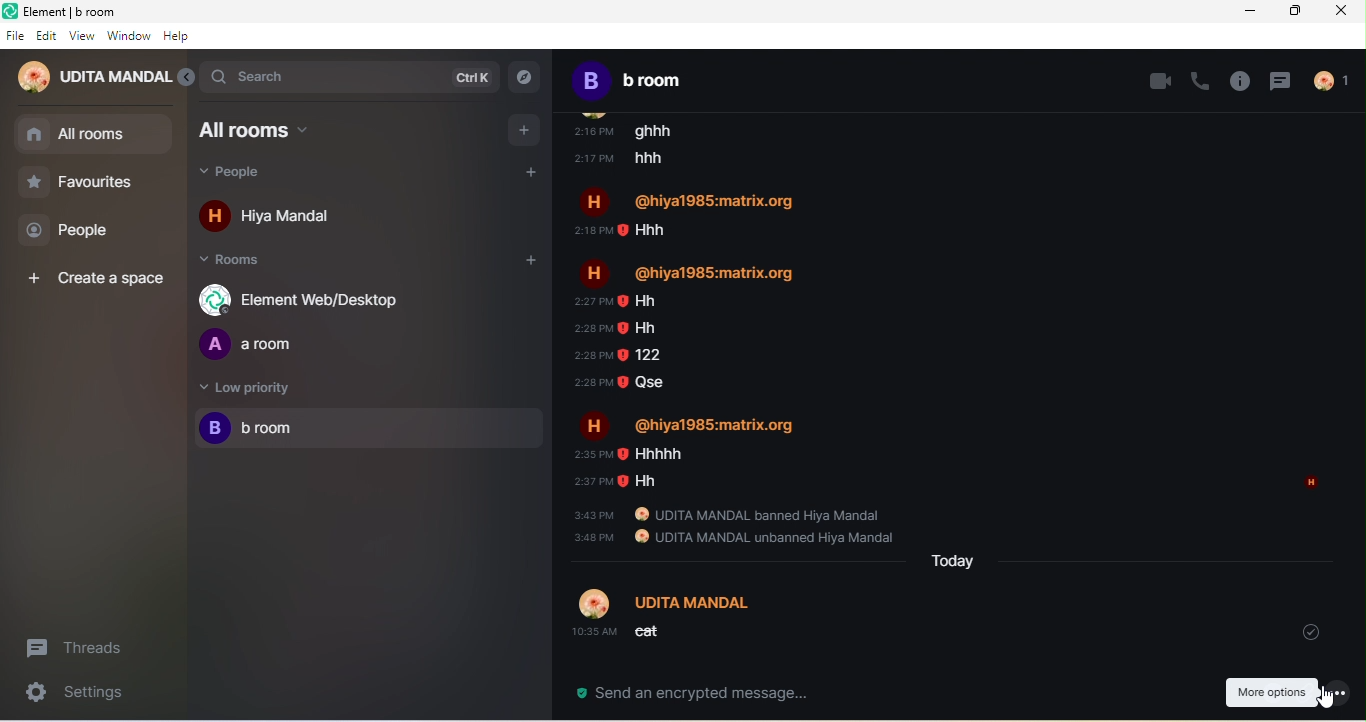 This screenshot has width=1366, height=722. Describe the element at coordinates (519, 264) in the screenshot. I see `add room` at that location.